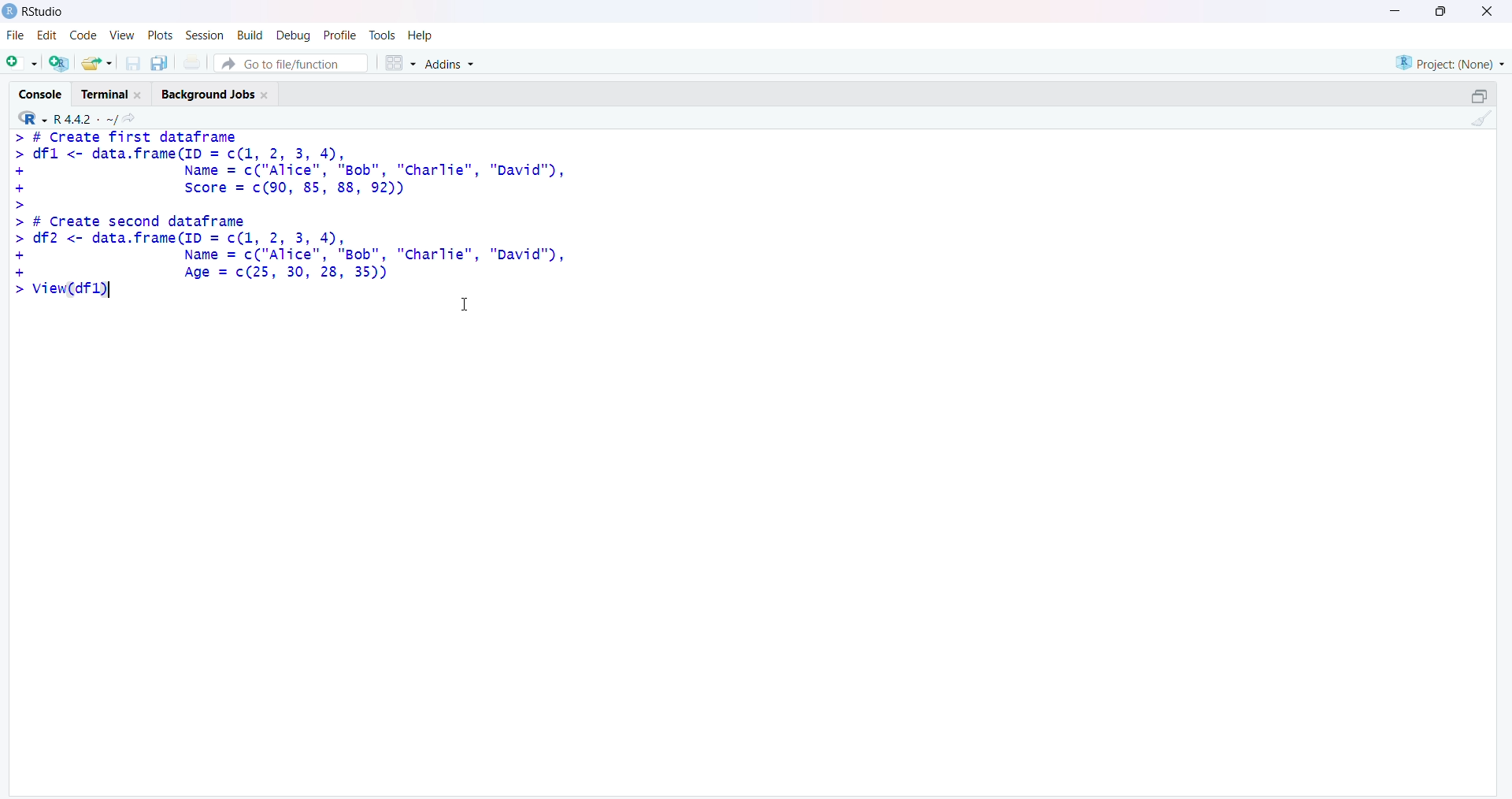  Describe the element at coordinates (267, 95) in the screenshot. I see `close` at that location.